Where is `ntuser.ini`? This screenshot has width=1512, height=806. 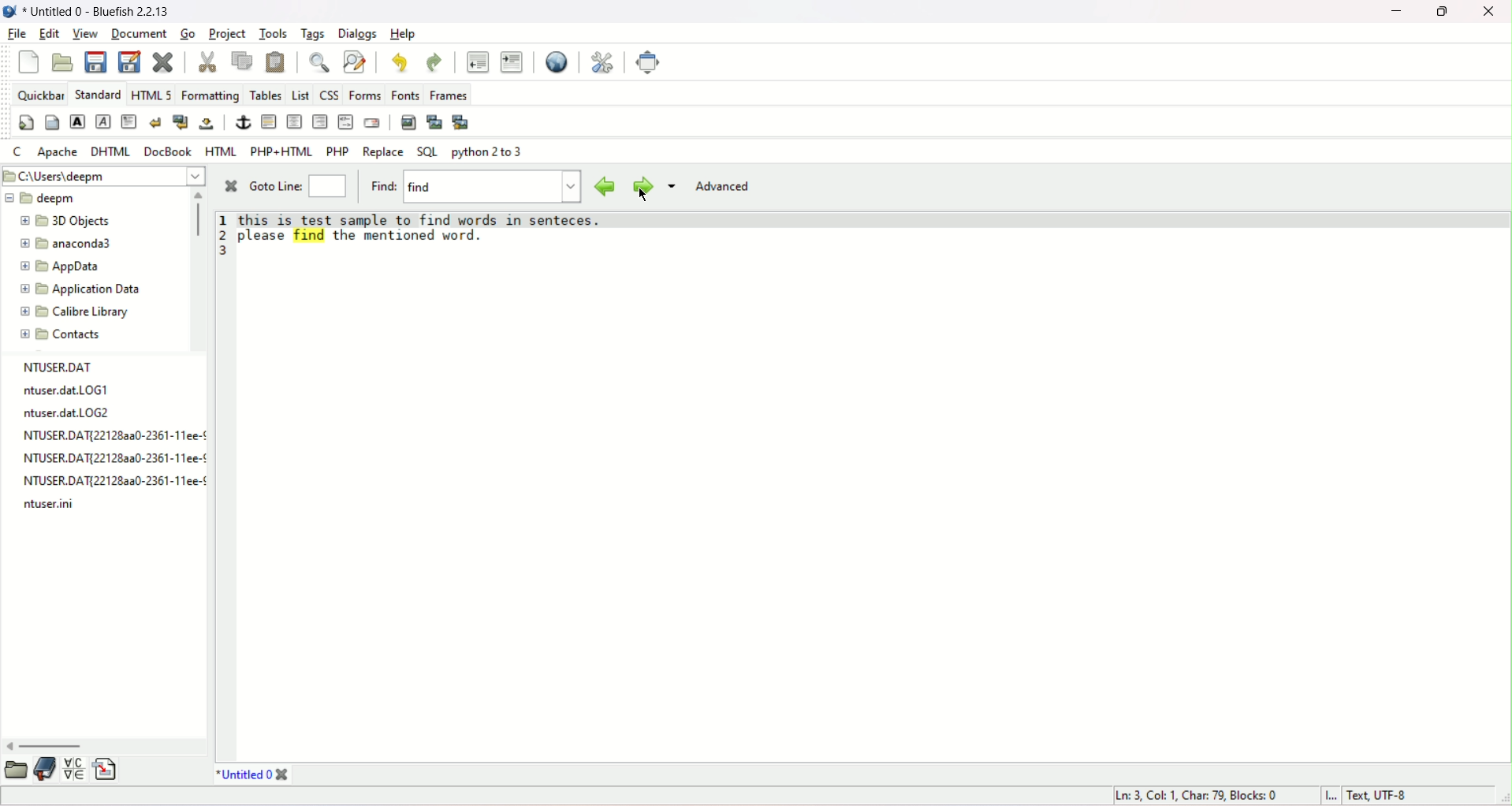
ntuser.ini is located at coordinates (51, 504).